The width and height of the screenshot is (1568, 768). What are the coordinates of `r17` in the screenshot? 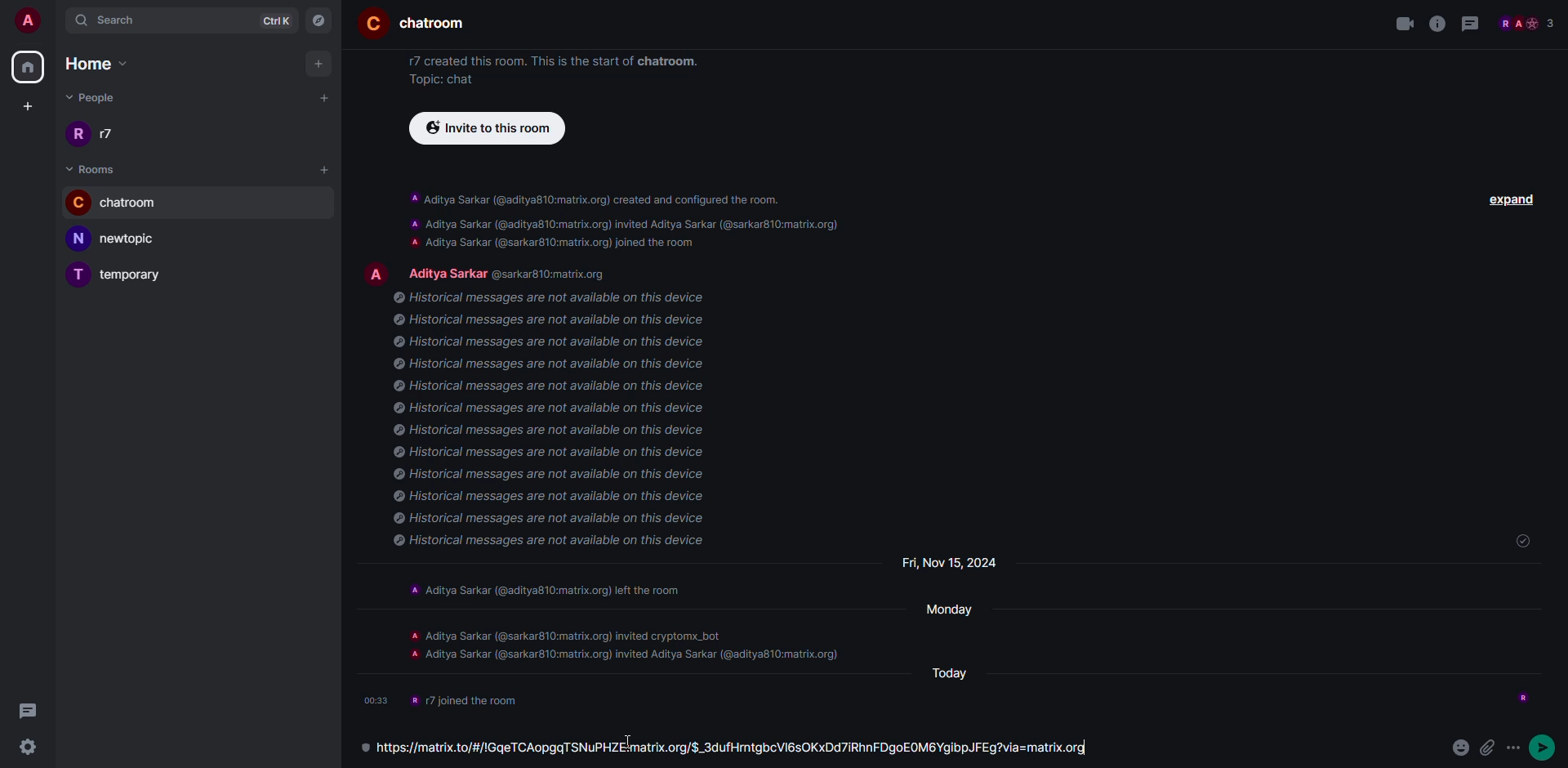 It's located at (93, 132).